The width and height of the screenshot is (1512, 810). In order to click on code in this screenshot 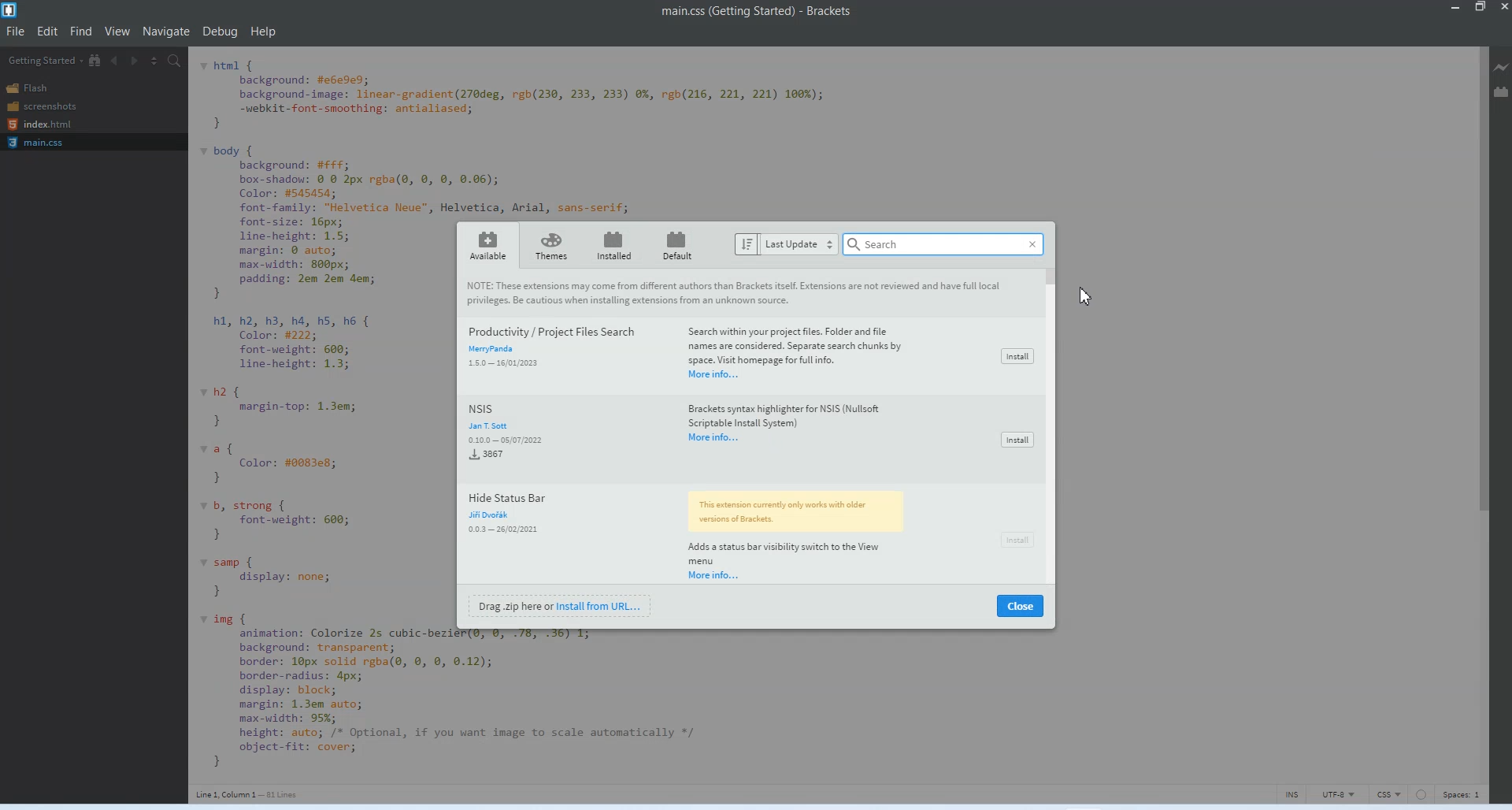, I will do `click(496, 698)`.